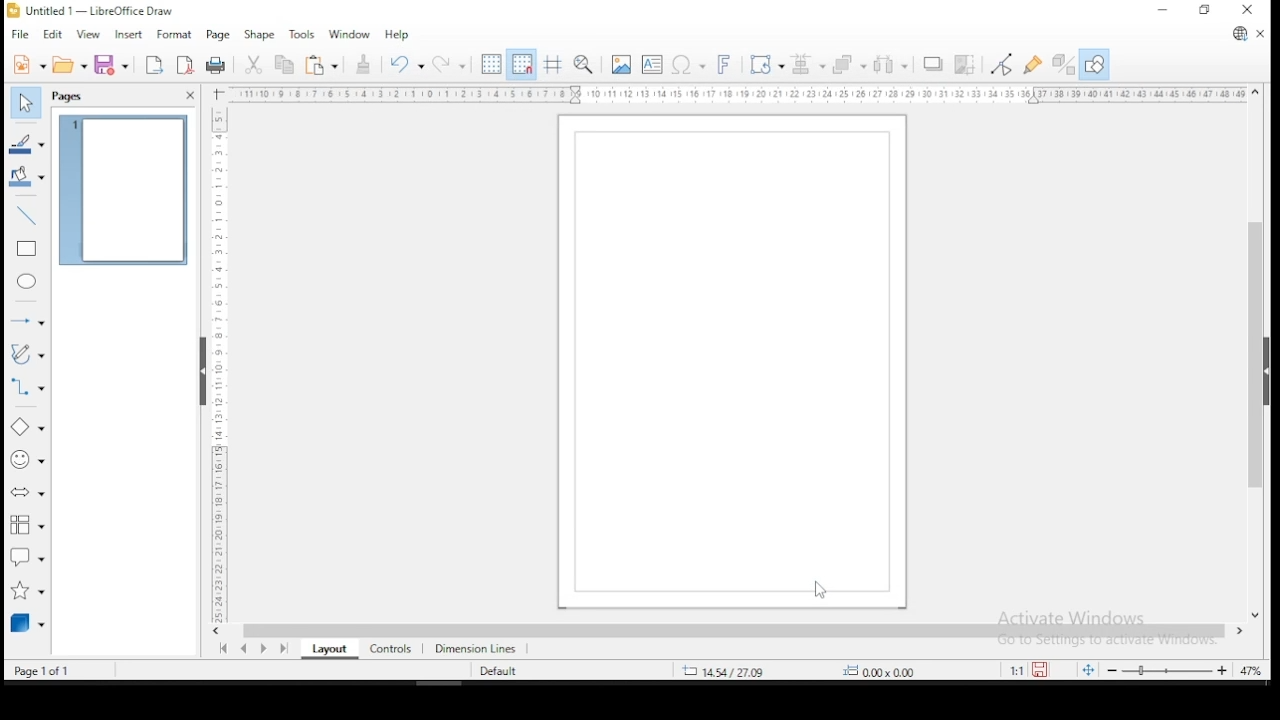  What do you see at coordinates (55, 35) in the screenshot?
I see `edit` at bounding box center [55, 35].